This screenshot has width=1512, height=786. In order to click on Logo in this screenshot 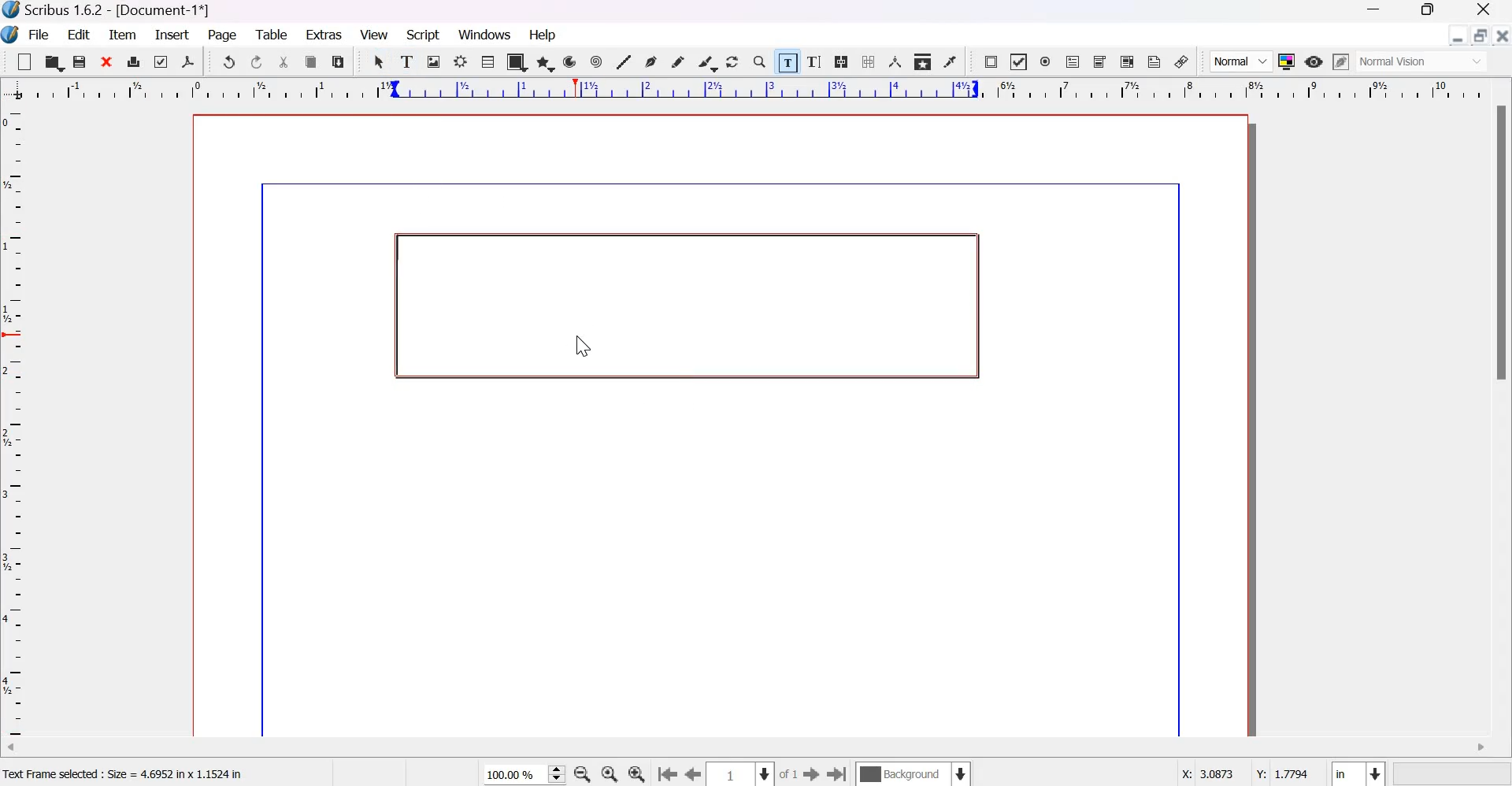, I will do `click(11, 35)`.